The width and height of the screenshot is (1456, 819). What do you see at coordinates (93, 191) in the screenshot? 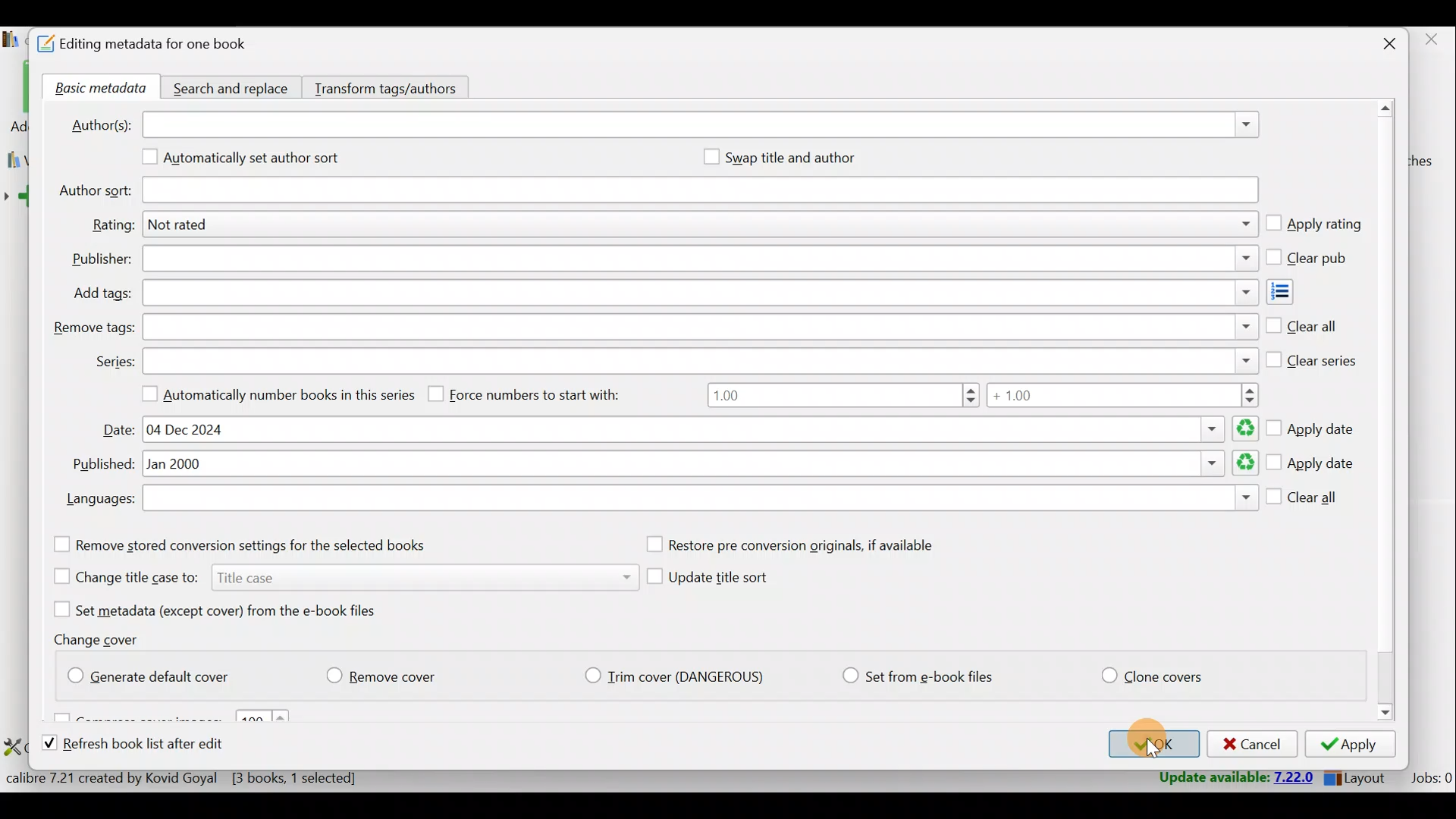
I see `Author sort:` at bounding box center [93, 191].